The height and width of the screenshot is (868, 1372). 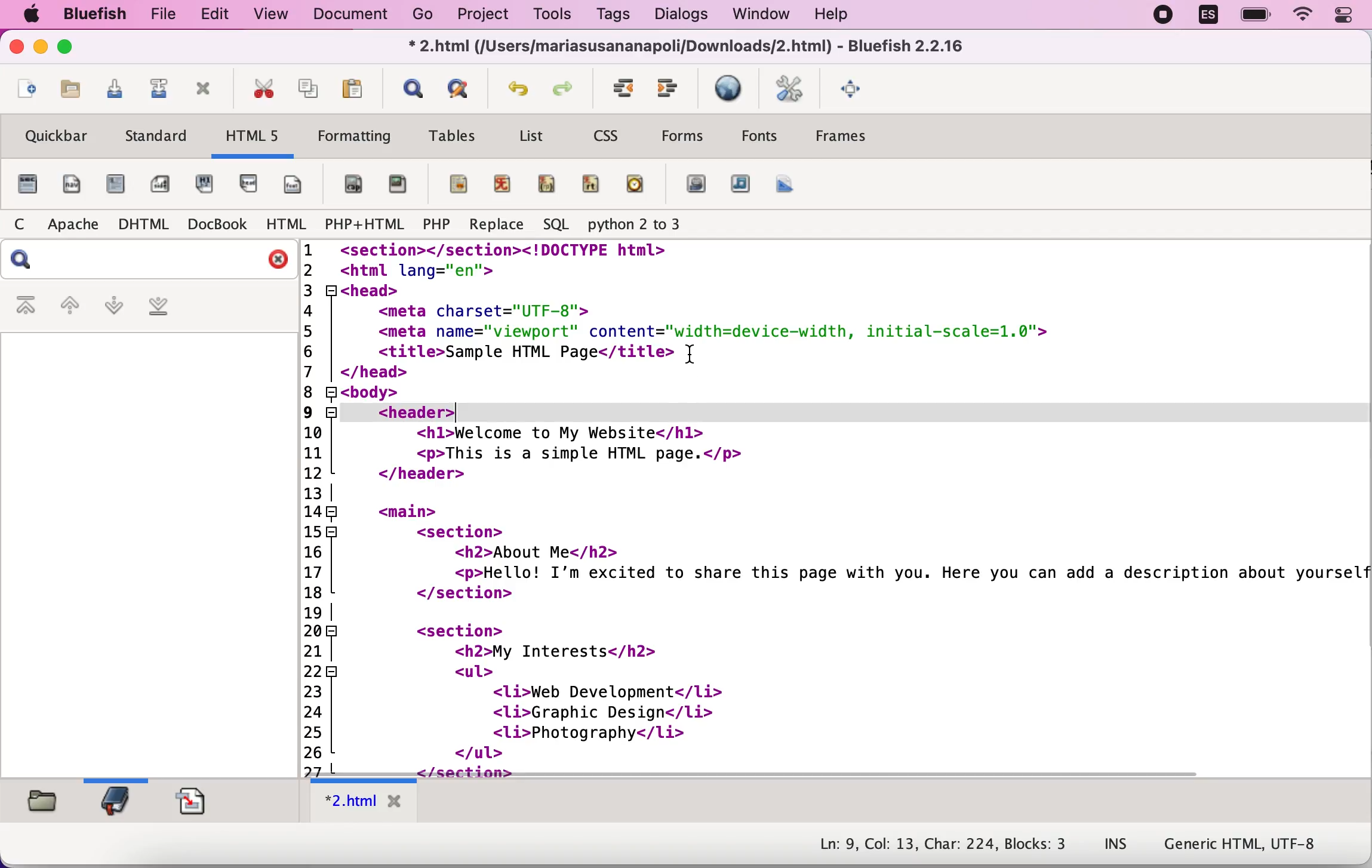 What do you see at coordinates (69, 306) in the screenshot?
I see `previous bookmark` at bounding box center [69, 306].